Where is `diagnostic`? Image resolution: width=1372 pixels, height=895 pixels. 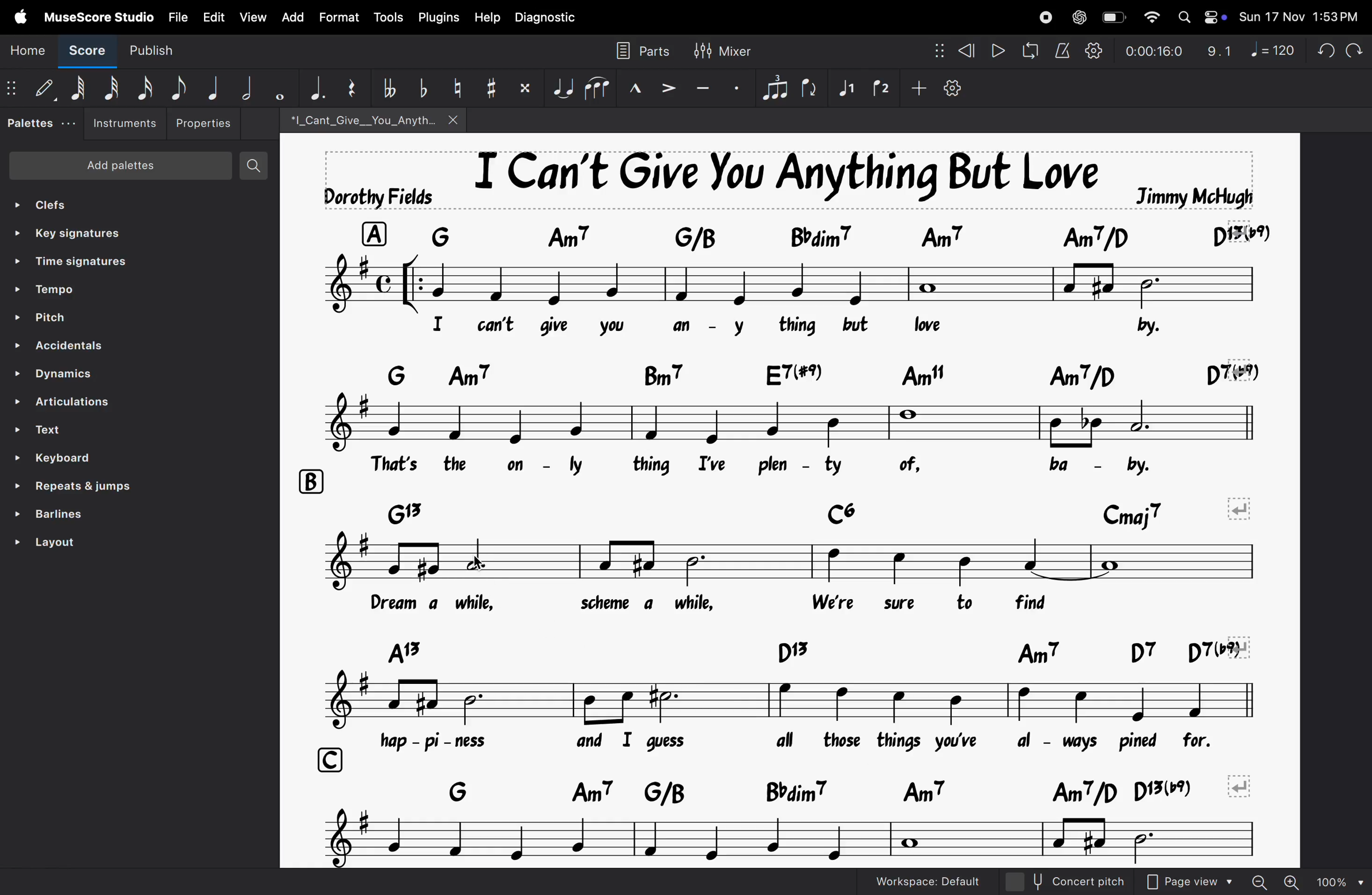
diagnostic is located at coordinates (550, 19).